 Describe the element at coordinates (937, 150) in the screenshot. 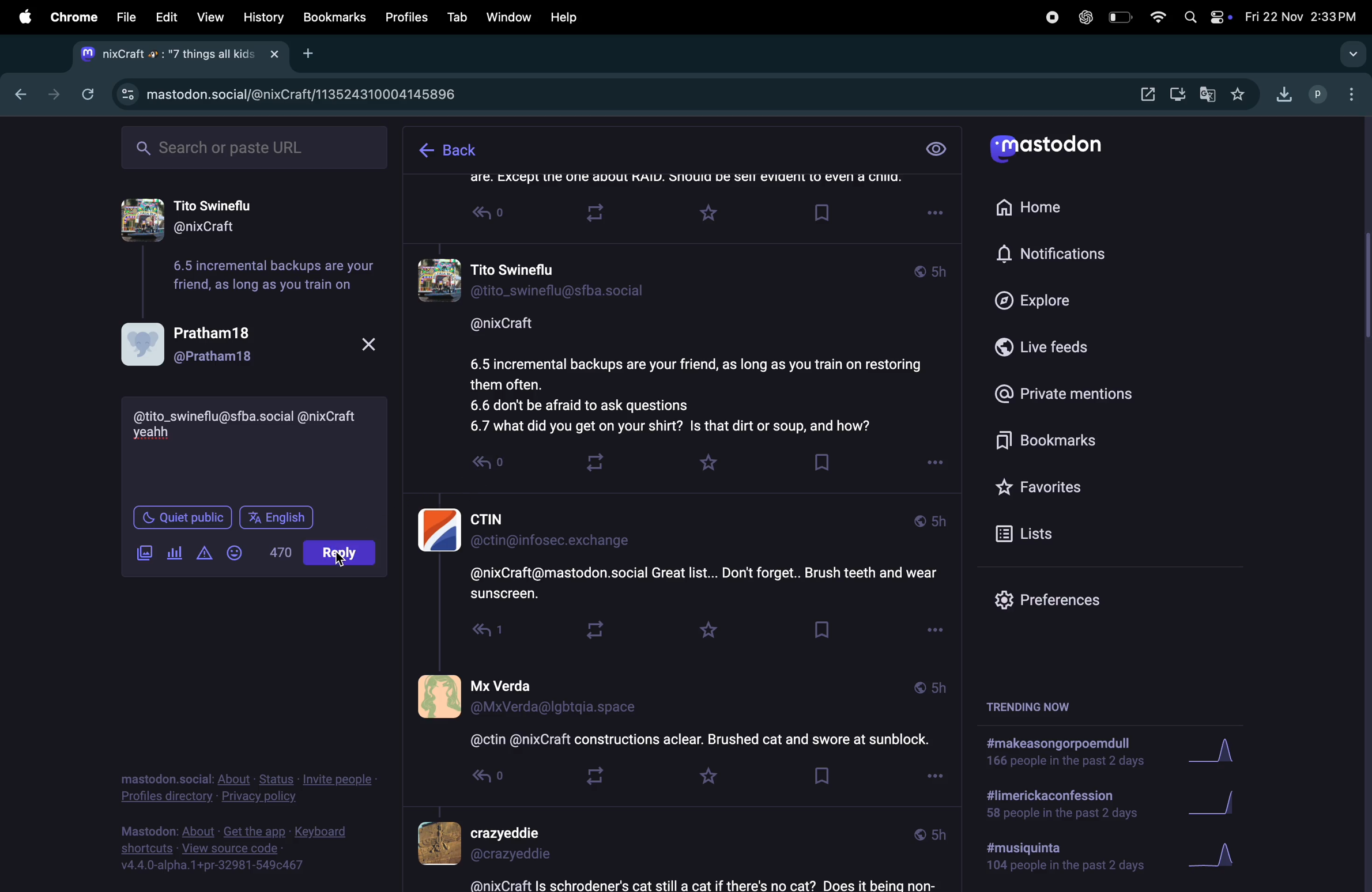

I see `view` at that location.